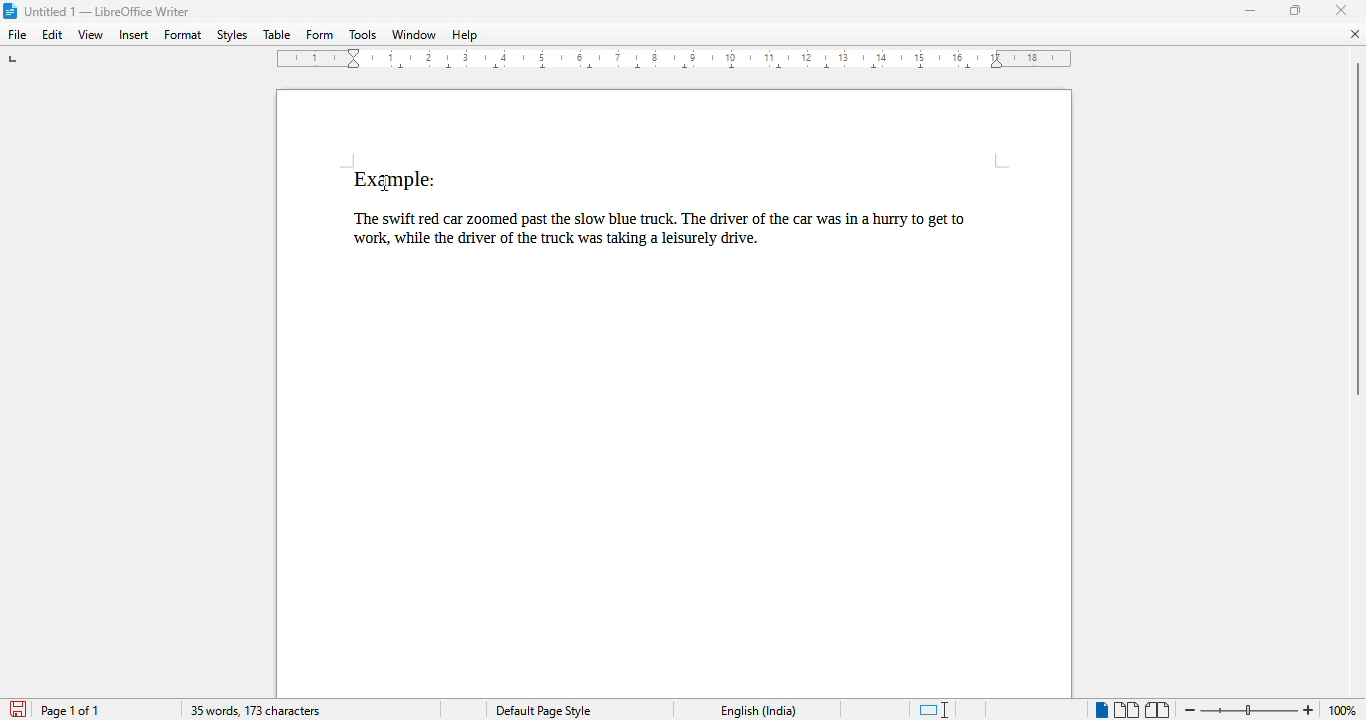  I want to click on minimize, so click(1251, 11).